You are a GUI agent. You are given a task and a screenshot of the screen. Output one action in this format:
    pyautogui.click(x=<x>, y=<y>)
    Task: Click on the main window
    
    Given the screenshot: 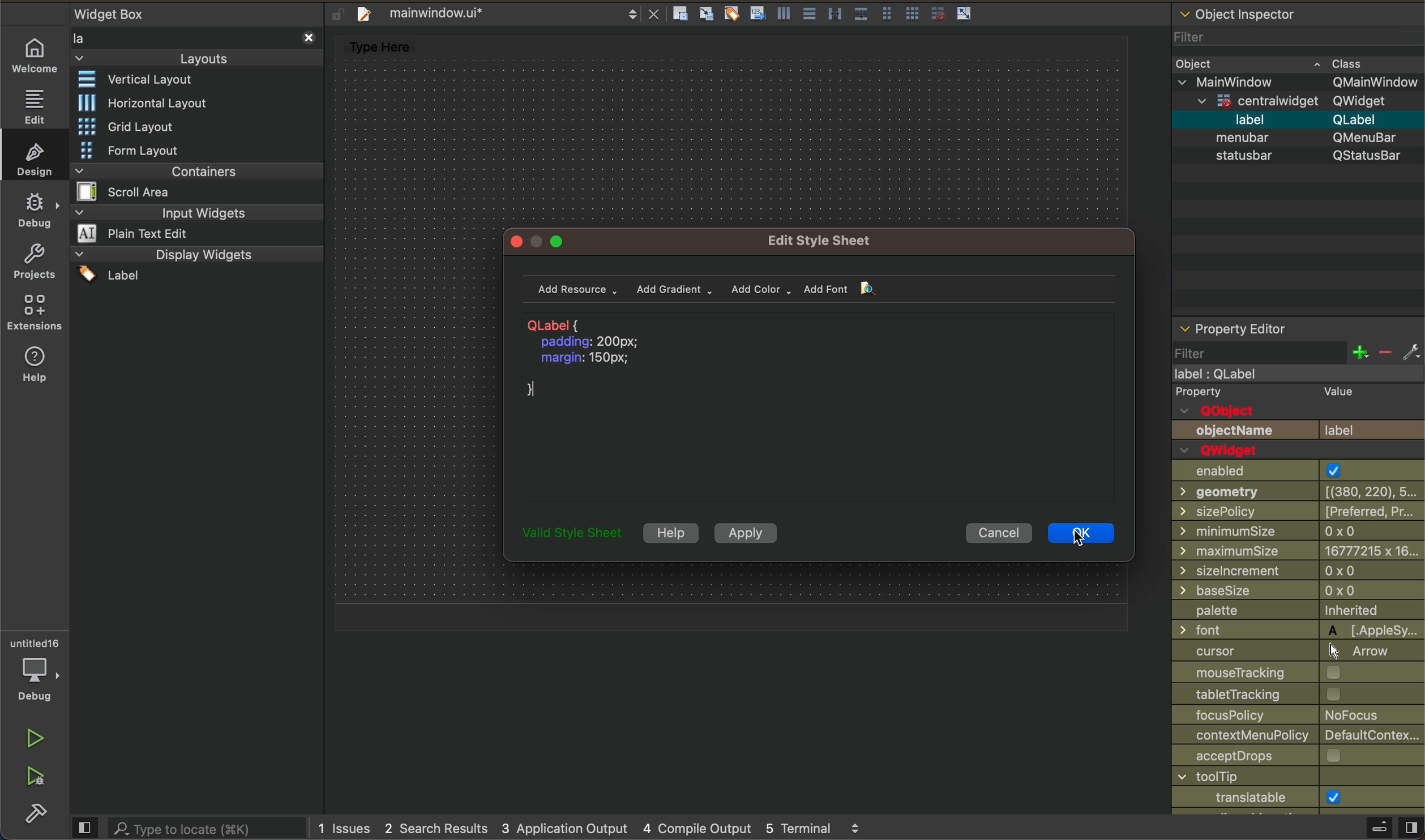 What is the action you would take?
    pyautogui.click(x=1297, y=83)
    